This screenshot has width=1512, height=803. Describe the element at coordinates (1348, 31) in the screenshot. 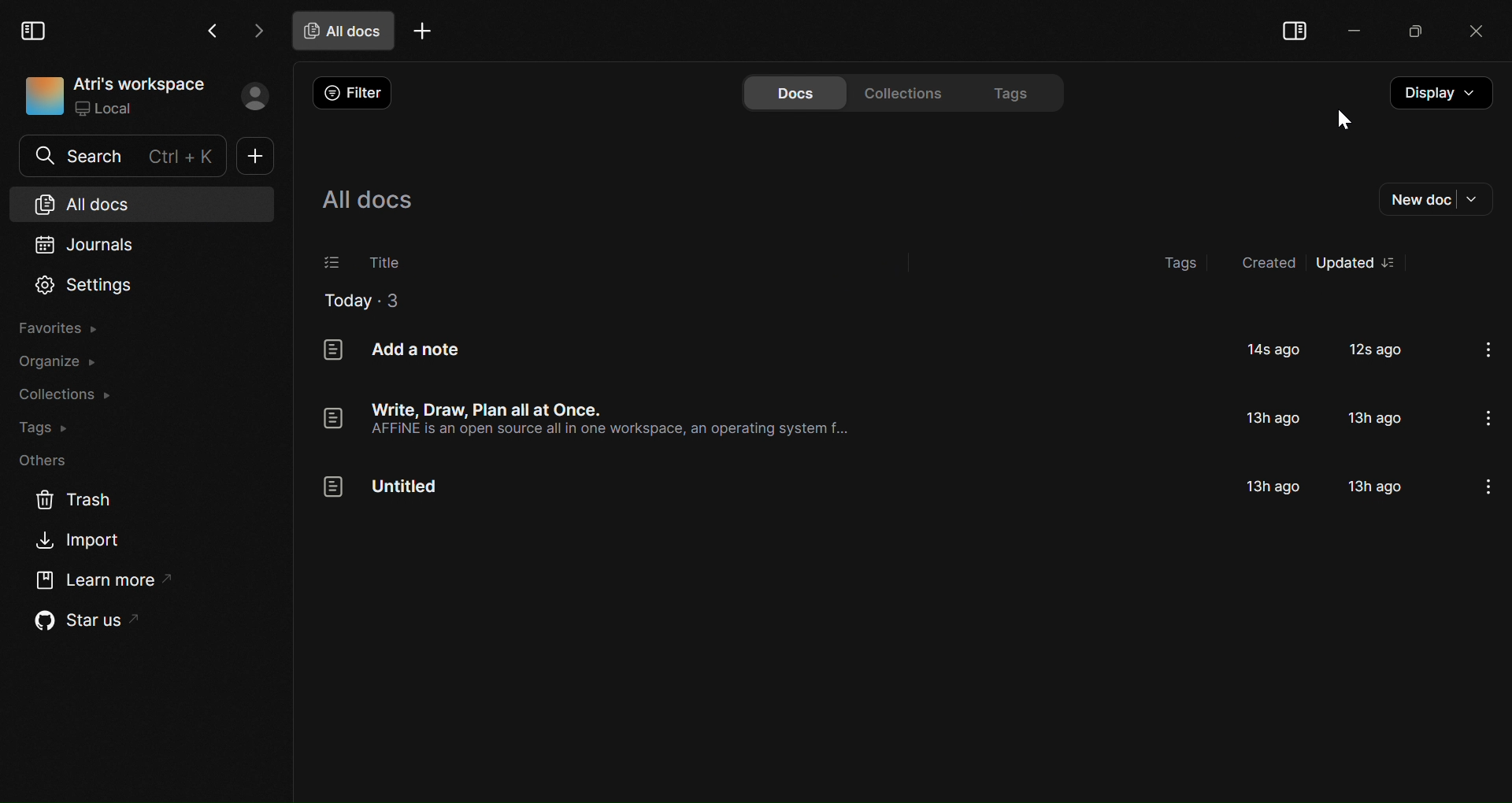

I see `Minimize` at that location.